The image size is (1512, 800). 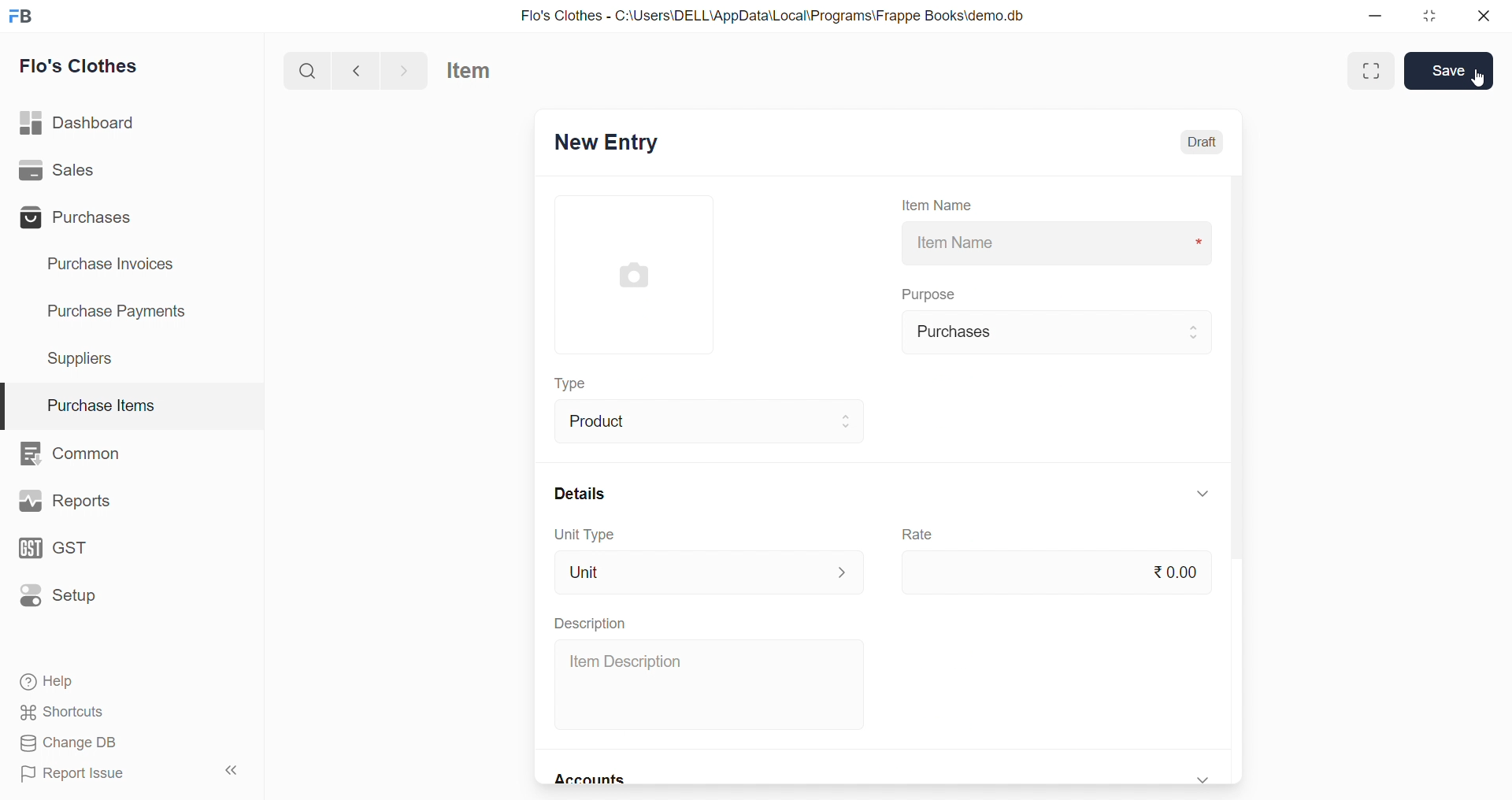 I want to click on minimize, so click(x=1381, y=16).